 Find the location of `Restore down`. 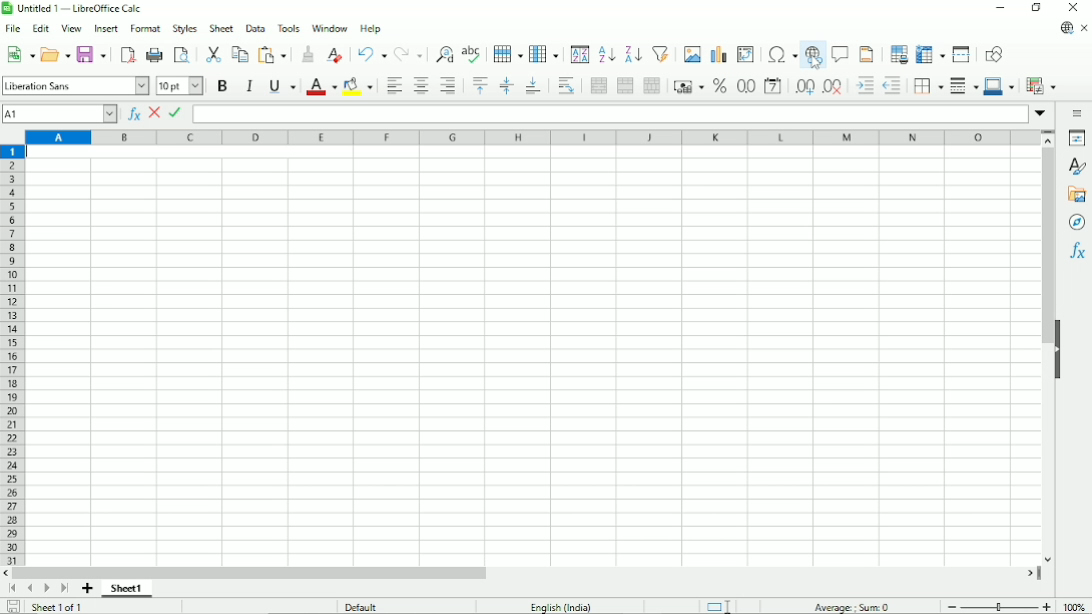

Restore down is located at coordinates (1038, 8).